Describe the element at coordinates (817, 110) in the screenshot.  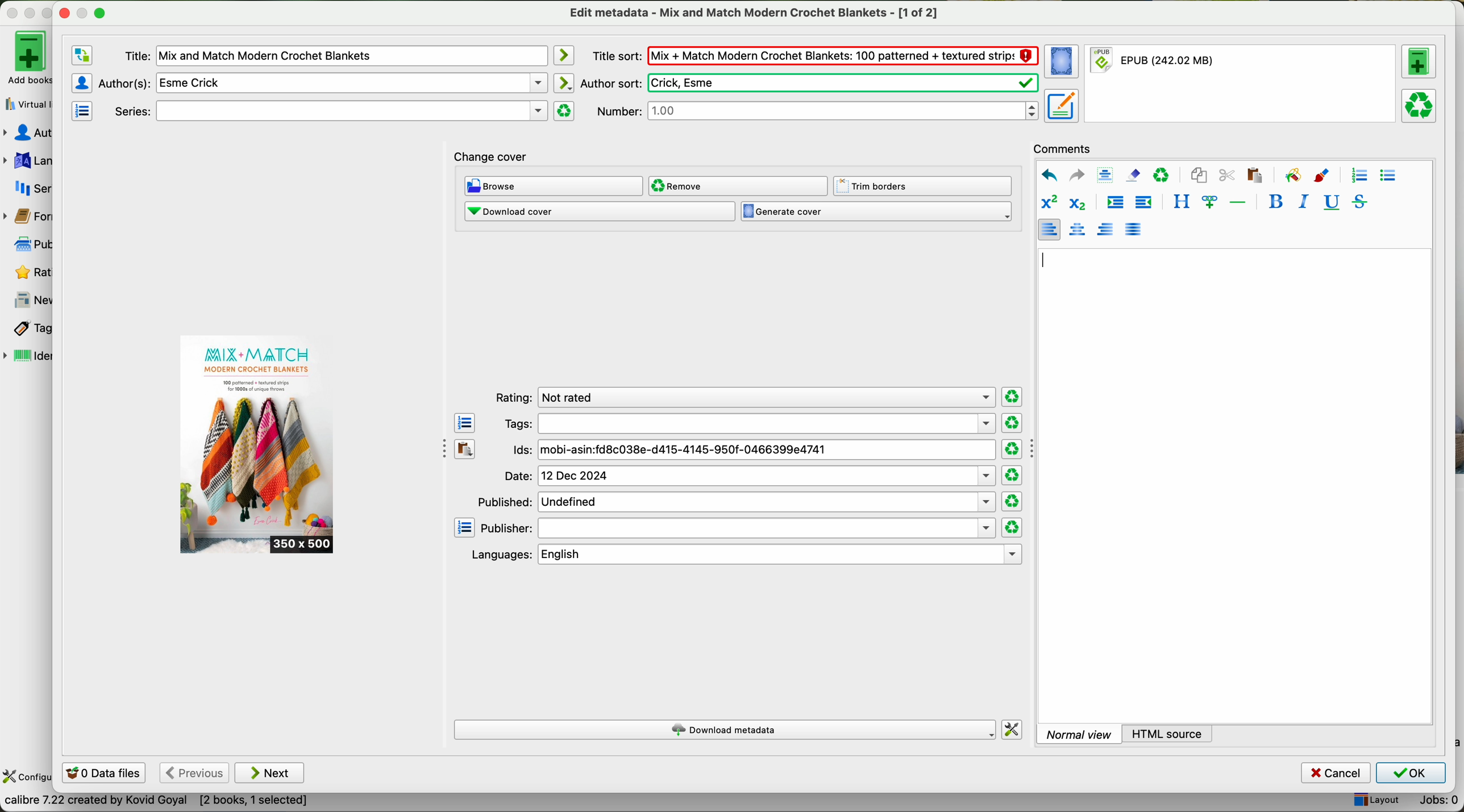
I see `number` at that location.